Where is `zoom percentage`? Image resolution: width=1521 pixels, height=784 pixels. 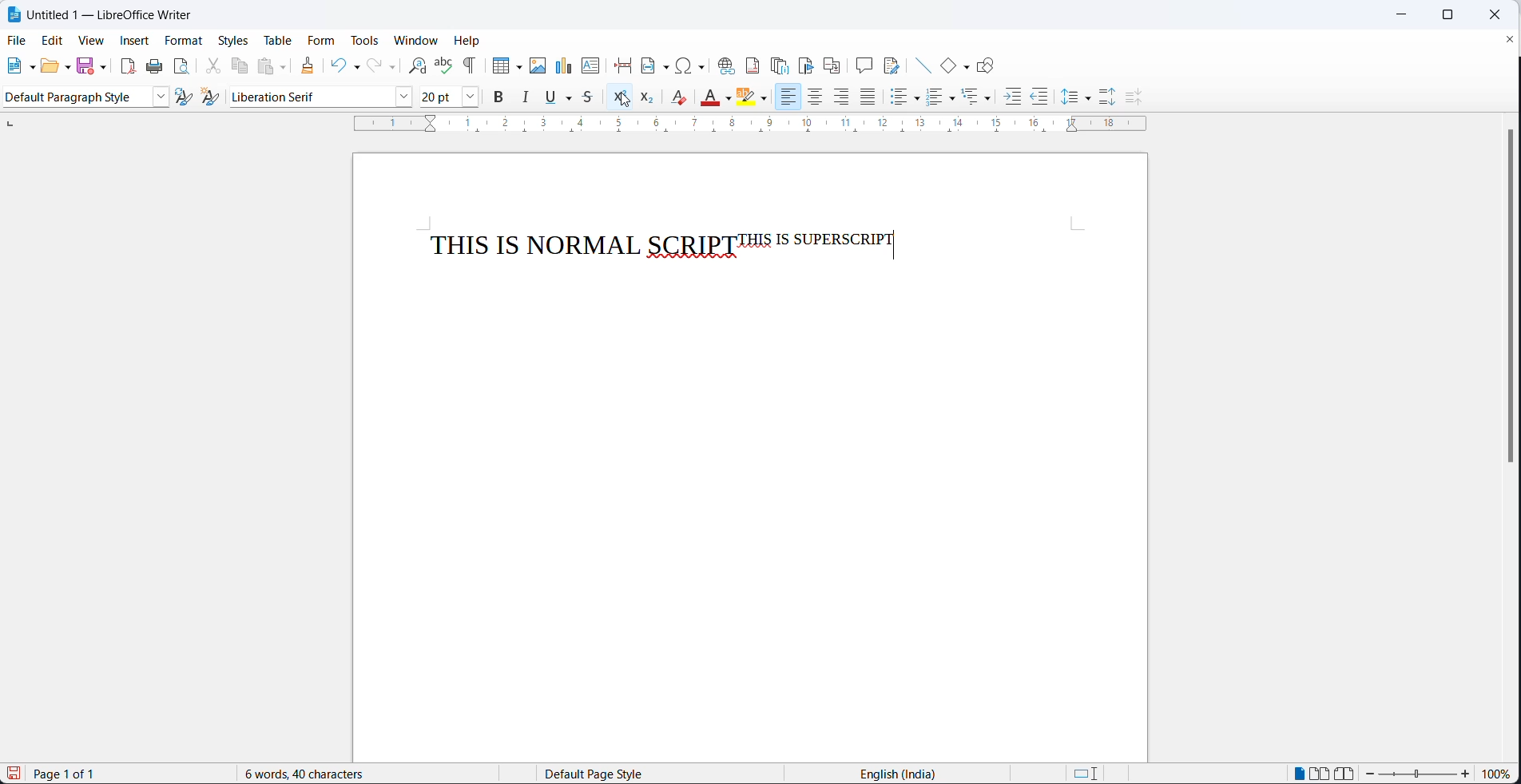
zoom percentage is located at coordinates (1497, 775).